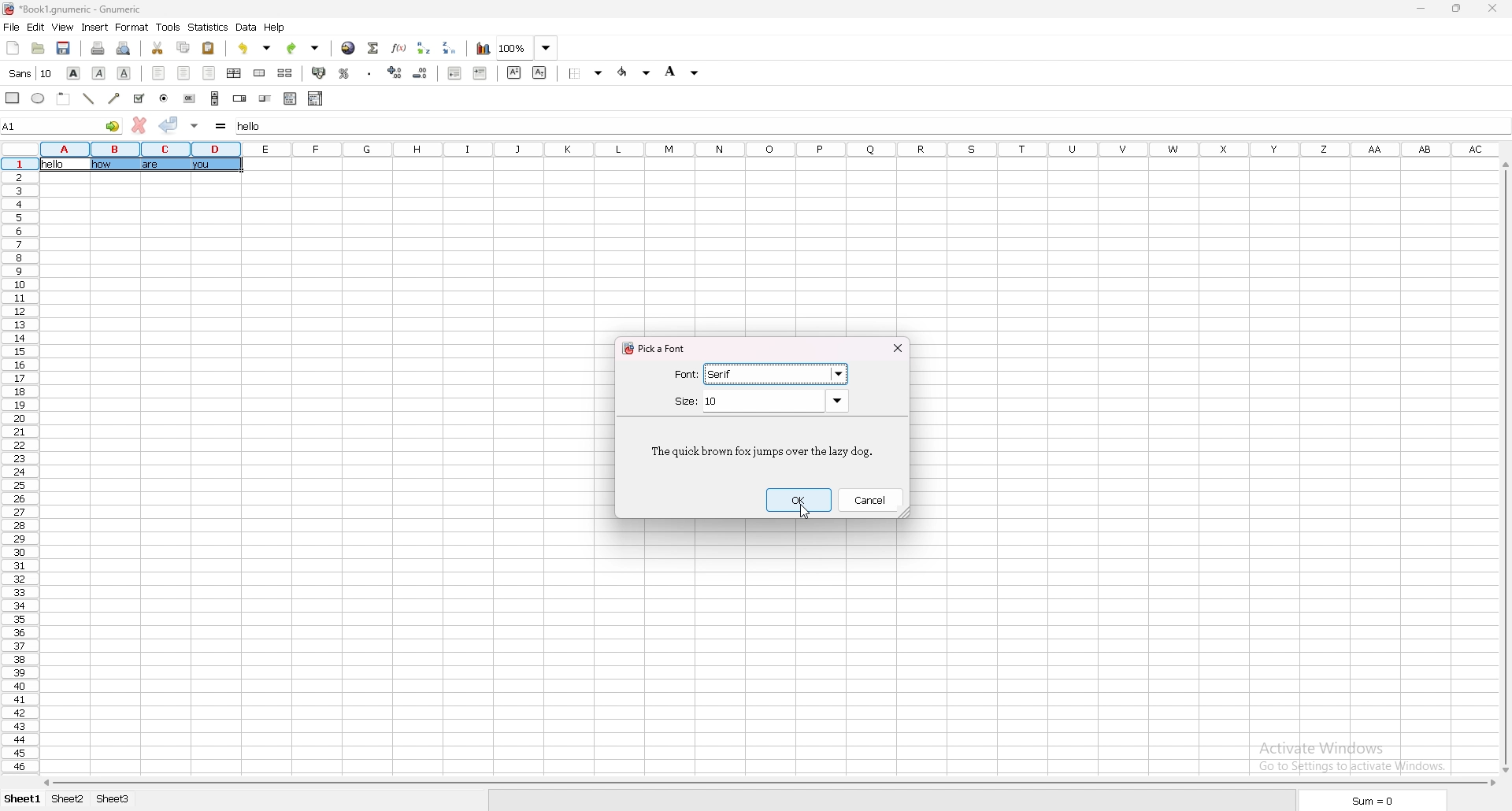  I want to click on tickbox, so click(138, 98).